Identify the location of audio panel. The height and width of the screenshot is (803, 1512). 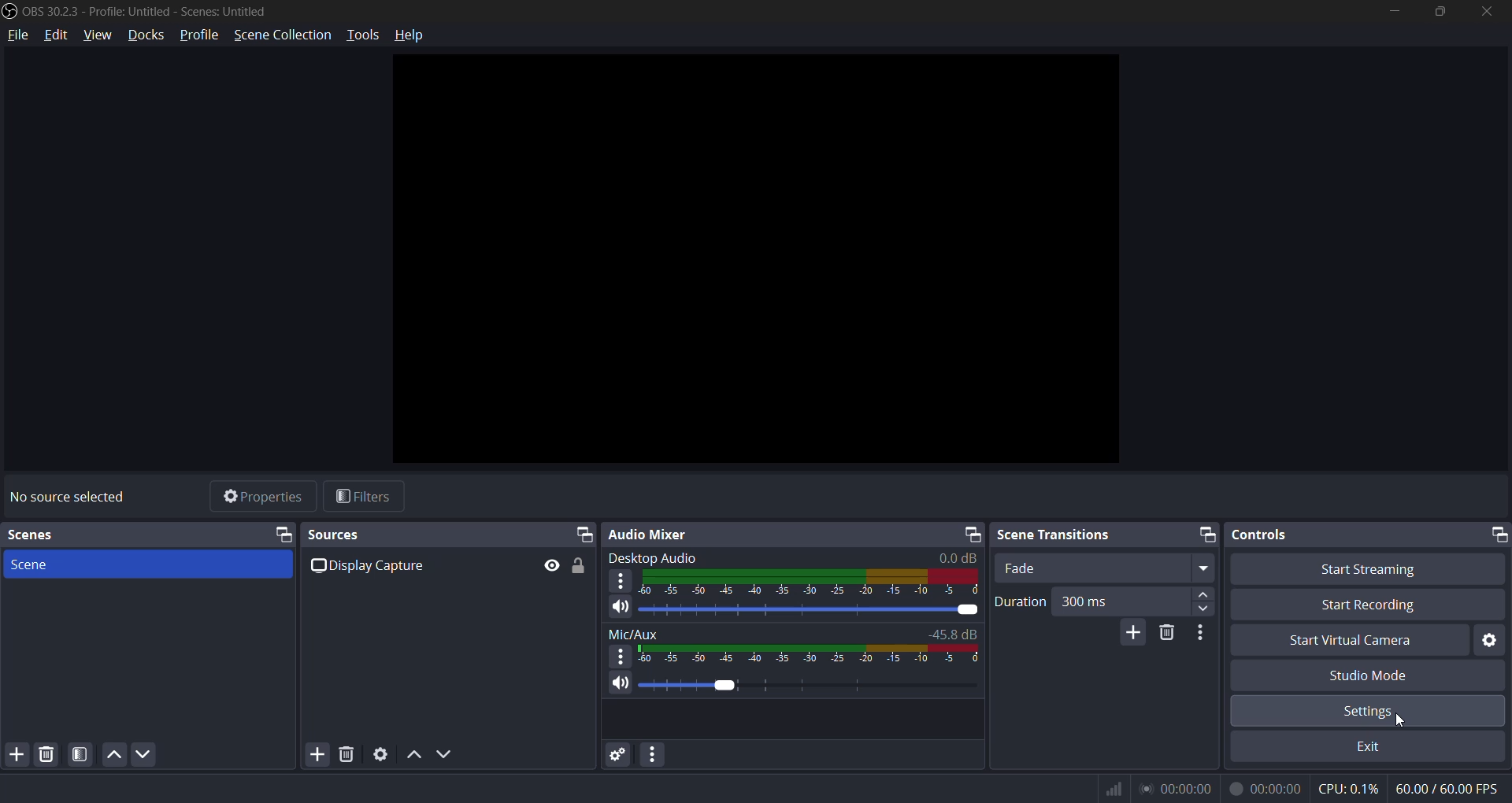
(814, 653).